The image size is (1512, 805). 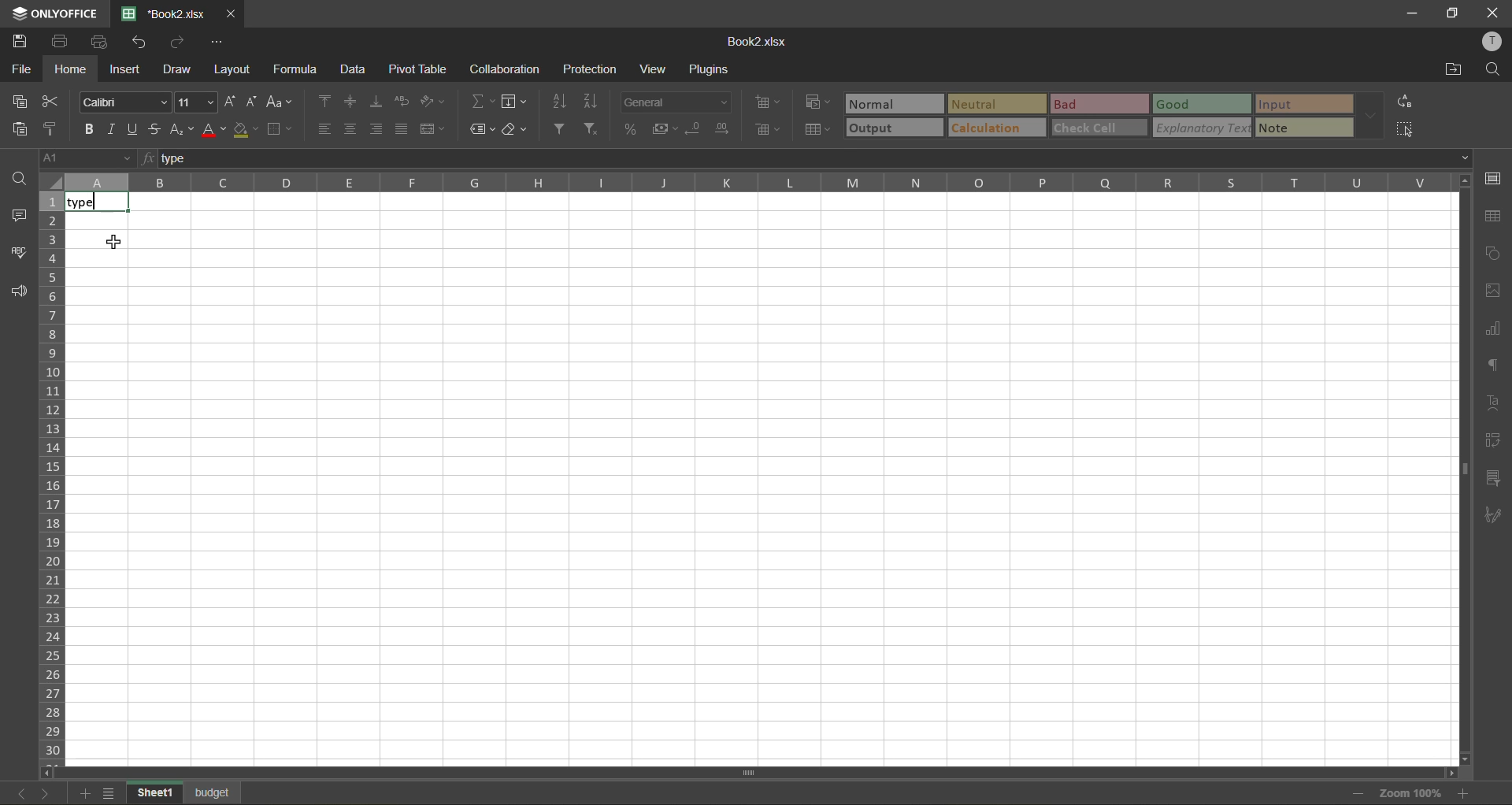 What do you see at coordinates (1494, 217) in the screenshot?
I see `table` at bounding box center [1494, 217].